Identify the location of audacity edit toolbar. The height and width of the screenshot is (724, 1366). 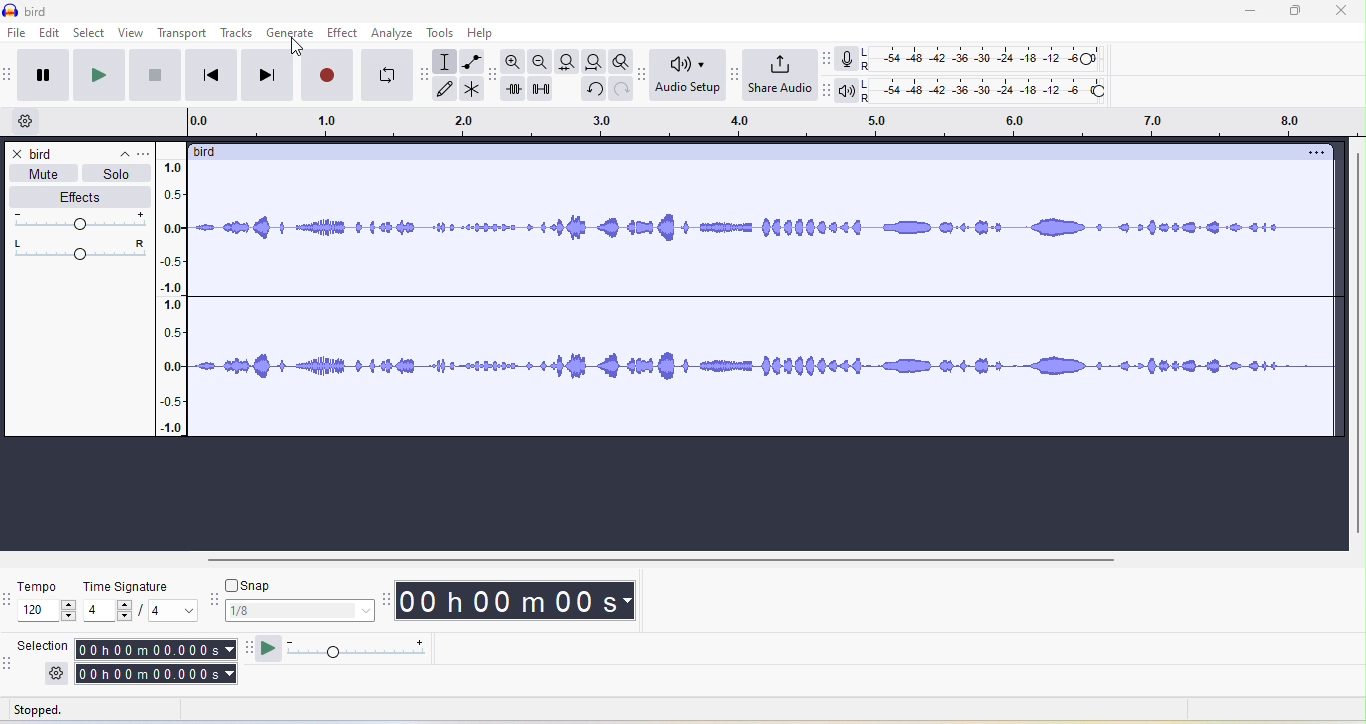
(497, 79).